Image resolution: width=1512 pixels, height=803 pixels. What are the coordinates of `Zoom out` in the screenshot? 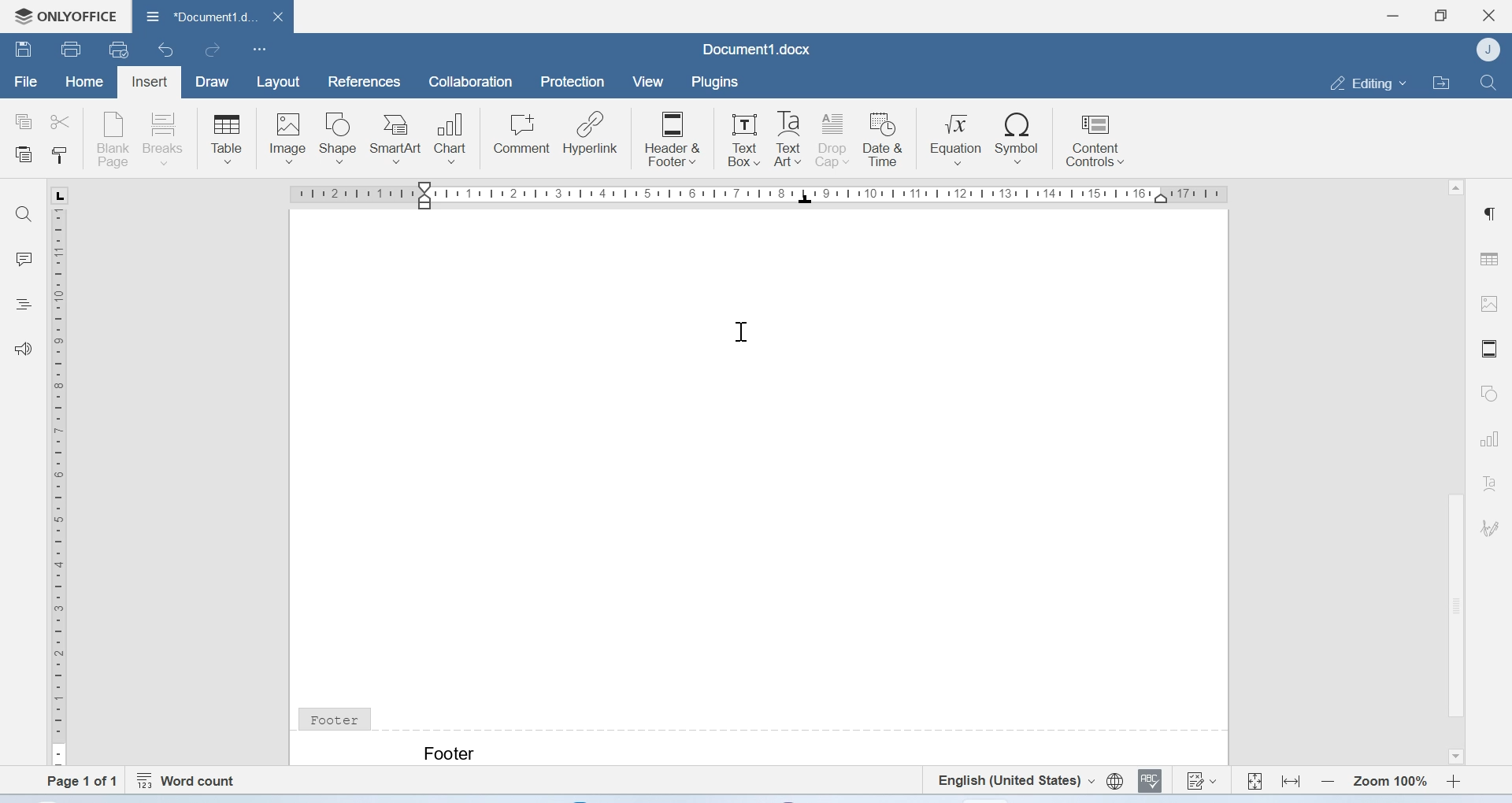 It's located at (1327, 780).